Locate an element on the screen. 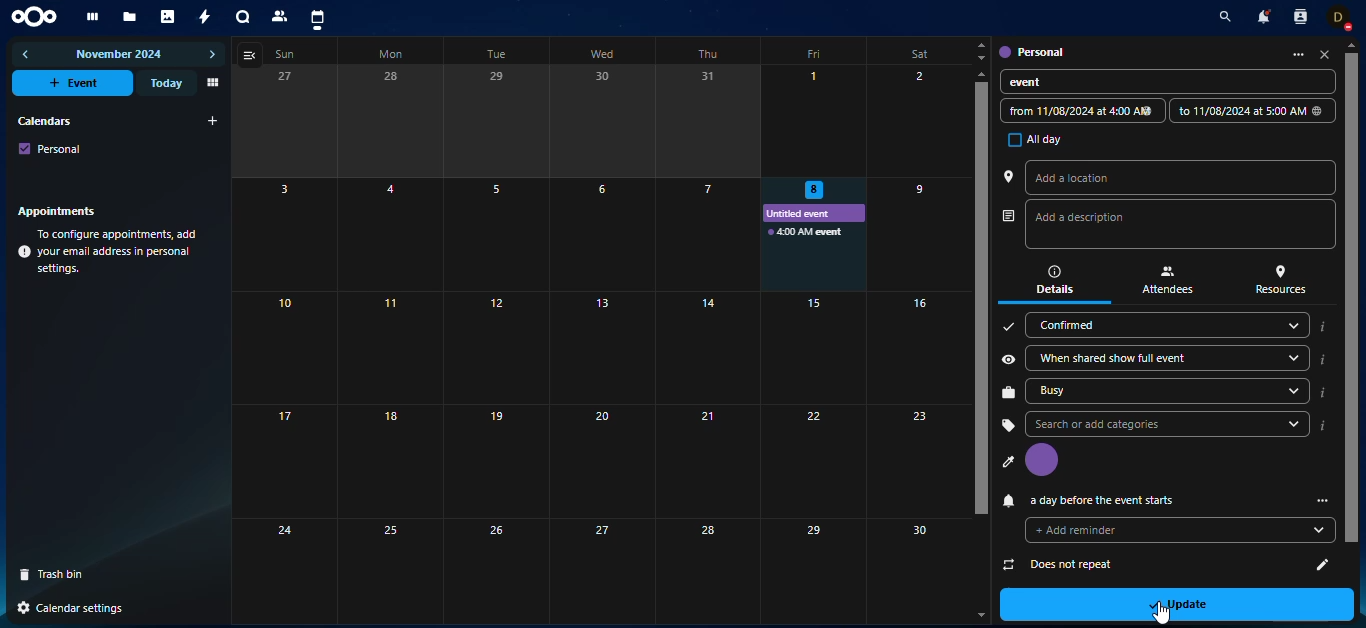 The image size is (1366, 628). tue is located at coordinates (501, 54).